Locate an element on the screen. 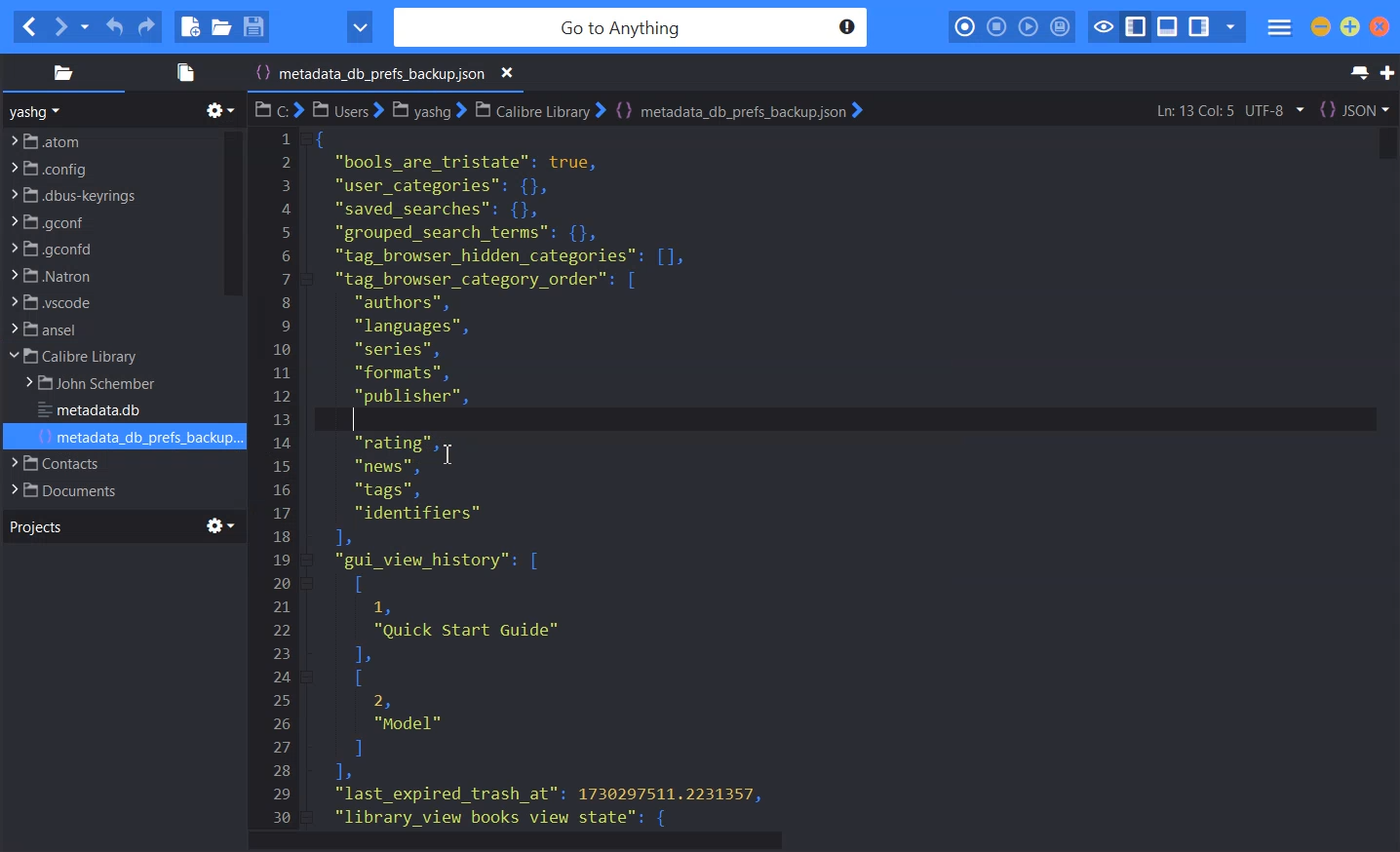 Image resolution: width=1400 pixels, height=852 pixels. File is located at coordinates (105, 463).